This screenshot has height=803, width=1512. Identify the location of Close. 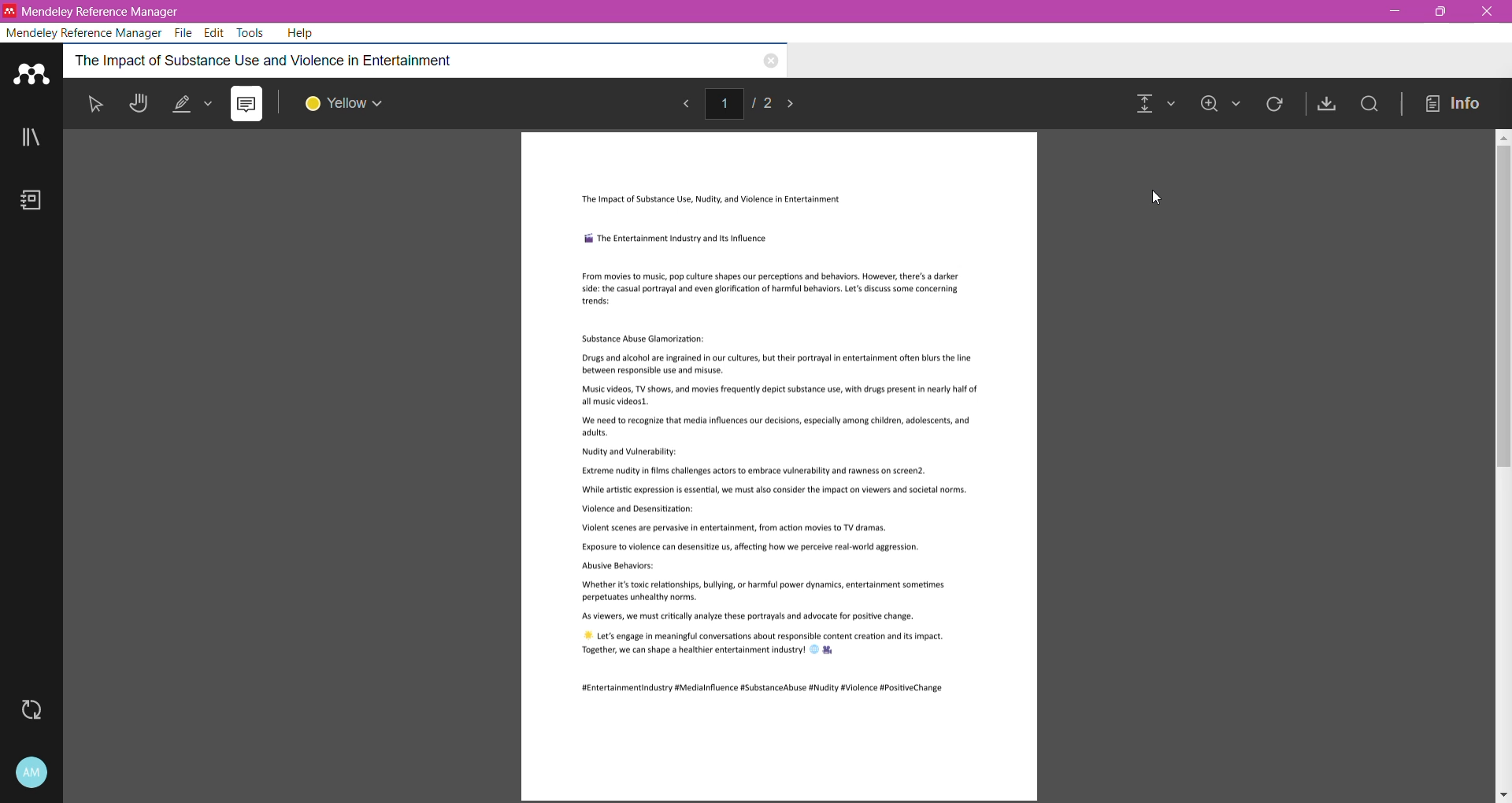
(1484, 12).